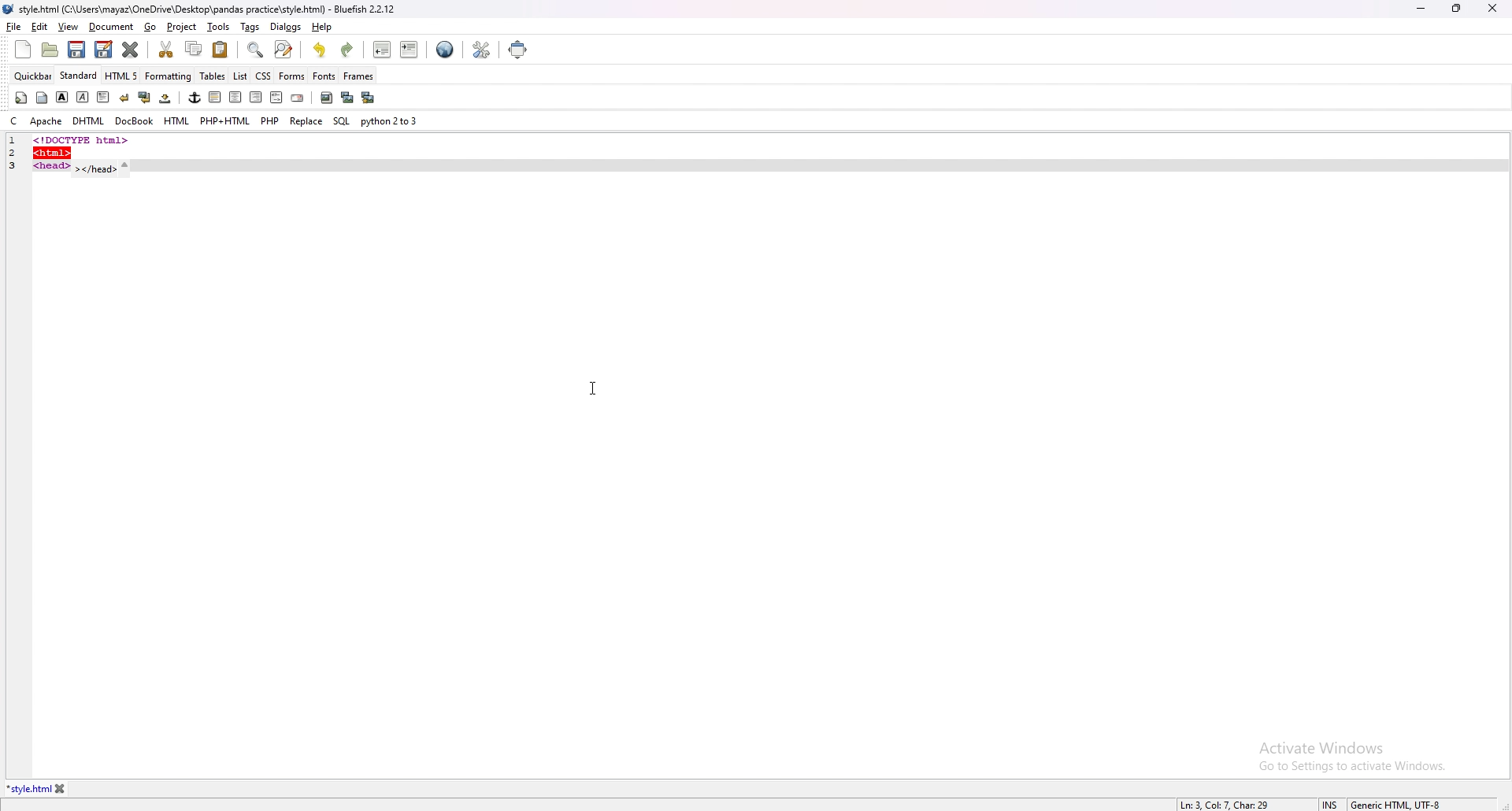  I want to click on center, so click(235, 98).